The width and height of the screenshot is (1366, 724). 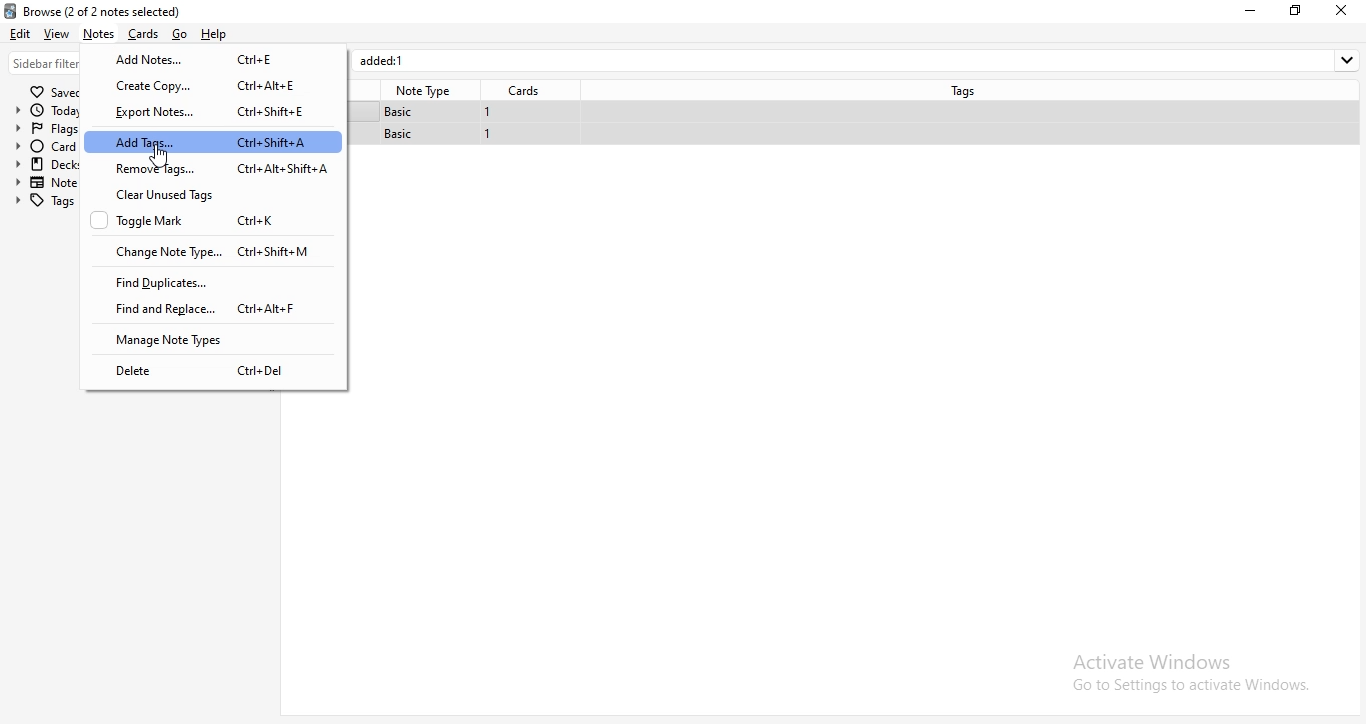 What do you see at coordinates (158, 159) in the screenshot?
I see `cursor` at bounding box center [158, 159].